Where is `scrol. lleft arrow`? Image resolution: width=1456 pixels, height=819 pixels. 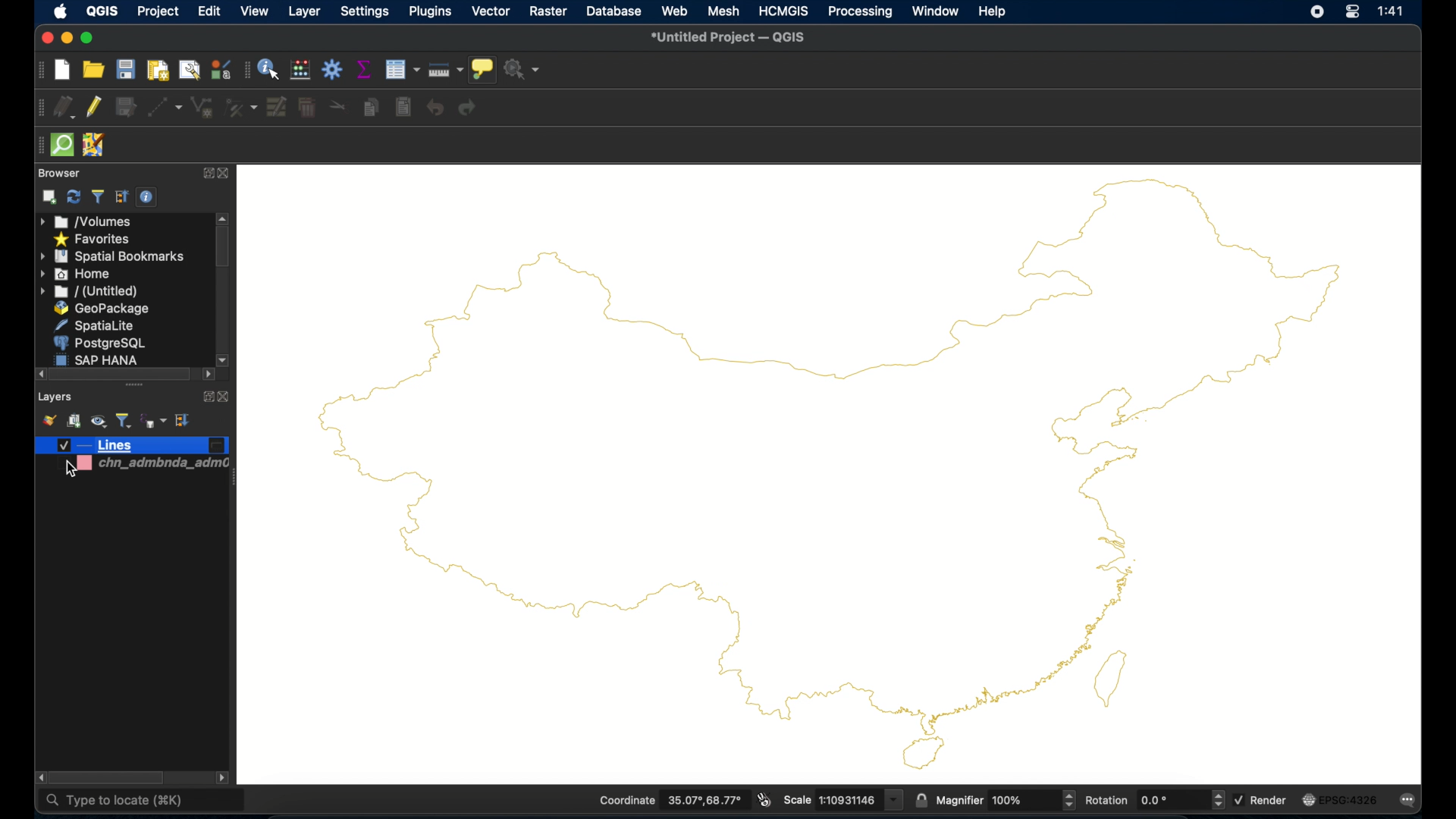 scrol. lleft arrow is located at coordinates (224, 779).